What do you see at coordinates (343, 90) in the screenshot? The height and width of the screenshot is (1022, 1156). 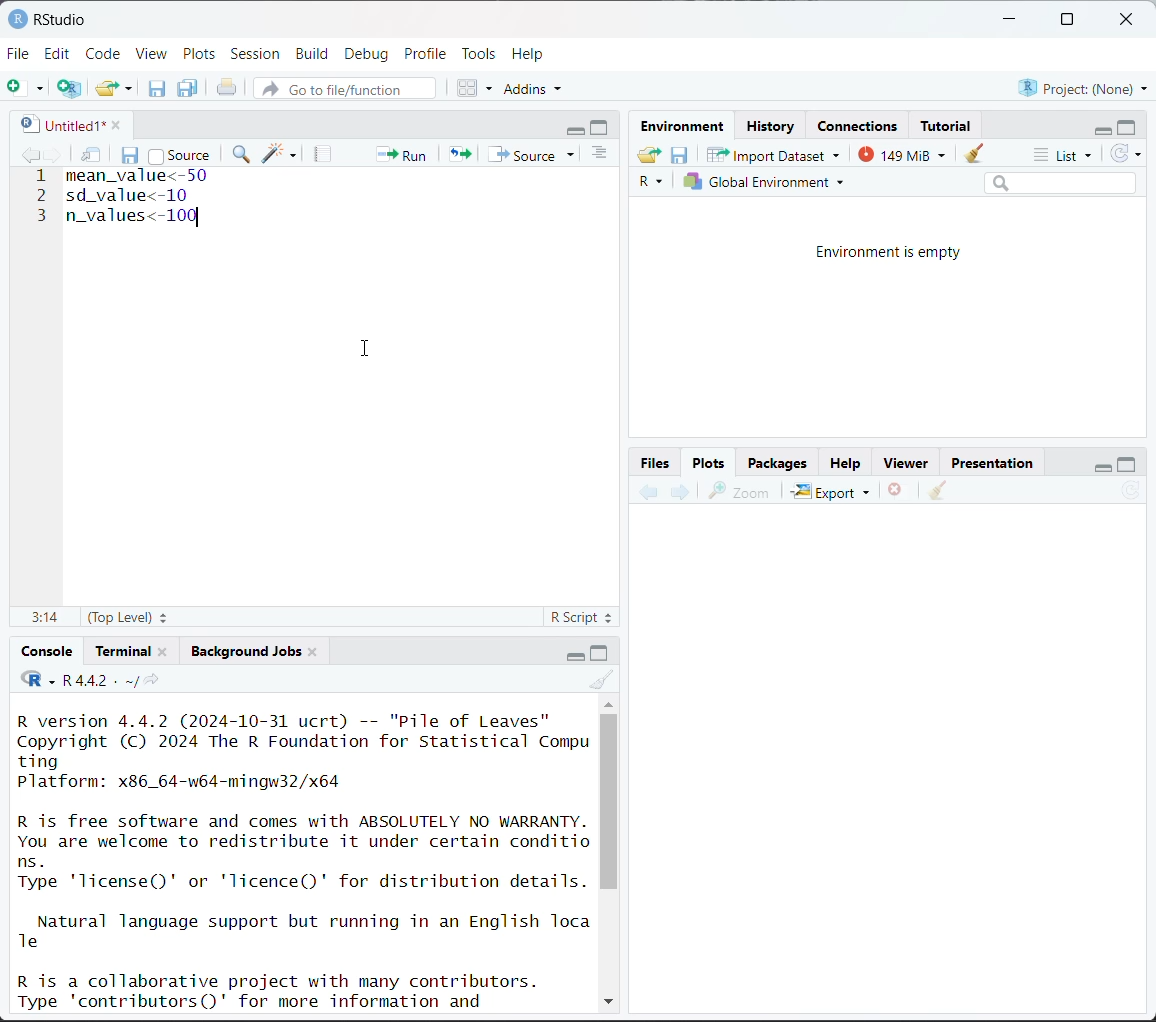 I see `go to file/function` at bounding box center [343, 90].